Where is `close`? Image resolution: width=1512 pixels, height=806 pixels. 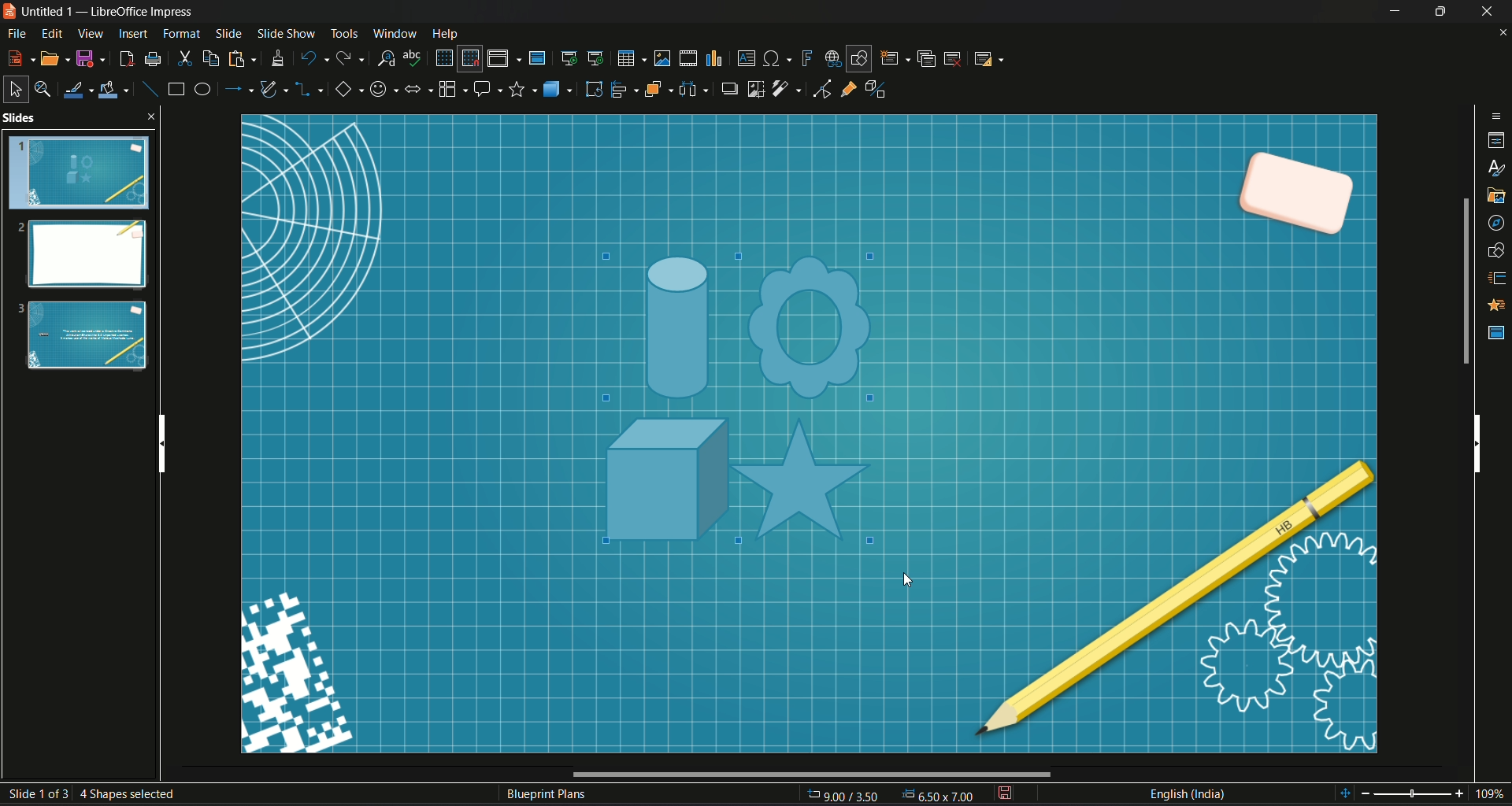 close is located at coordinates (1503, 34).